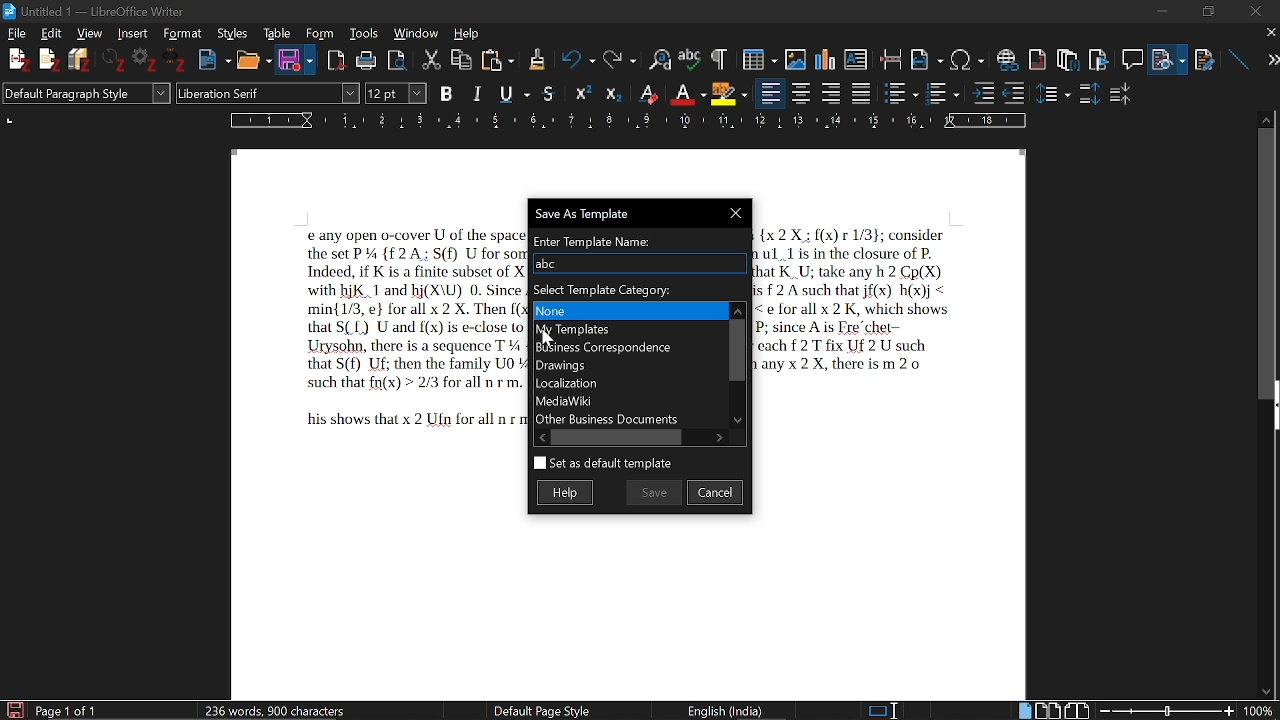 The image size is (1280, 720). Describe the element at coordinates (968, 58) in the screenshot. I see `Insert symbol` at that location.